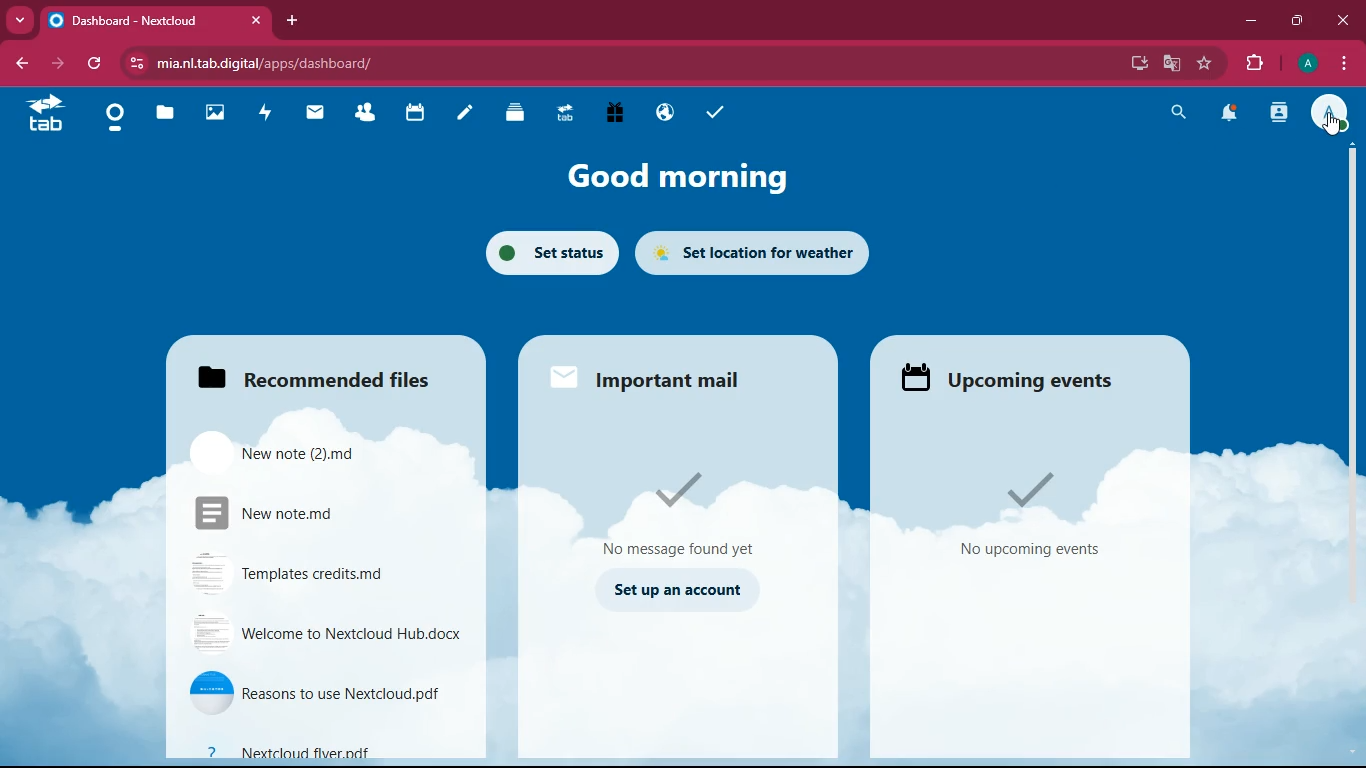 The width and height of the screenshot is (1366, 768). What do you see at coordinates (291, 19) in the screenshot?
I see `add tab` at bounding box center [291, 19].